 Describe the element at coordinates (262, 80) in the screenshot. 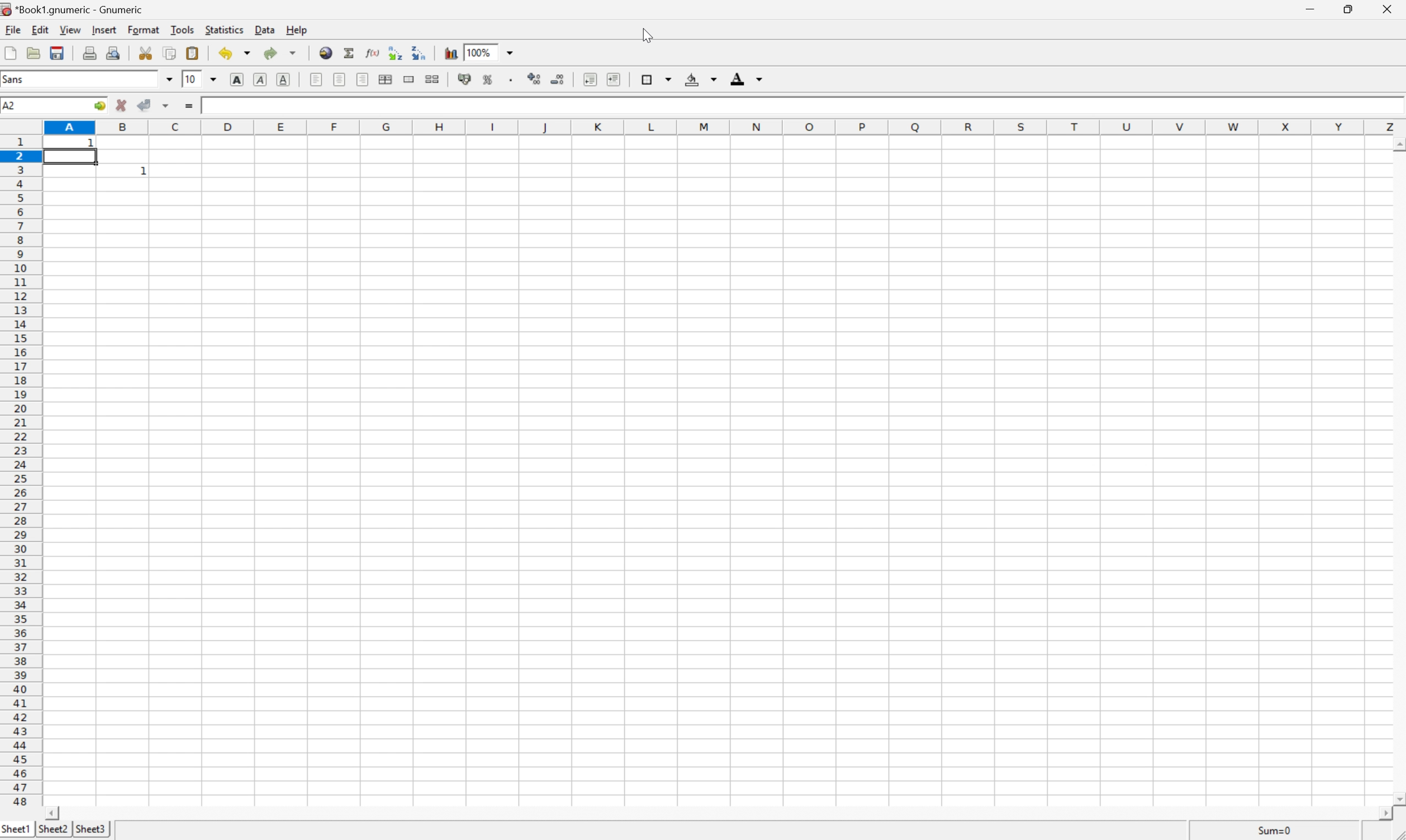

I see `italic` at that location.